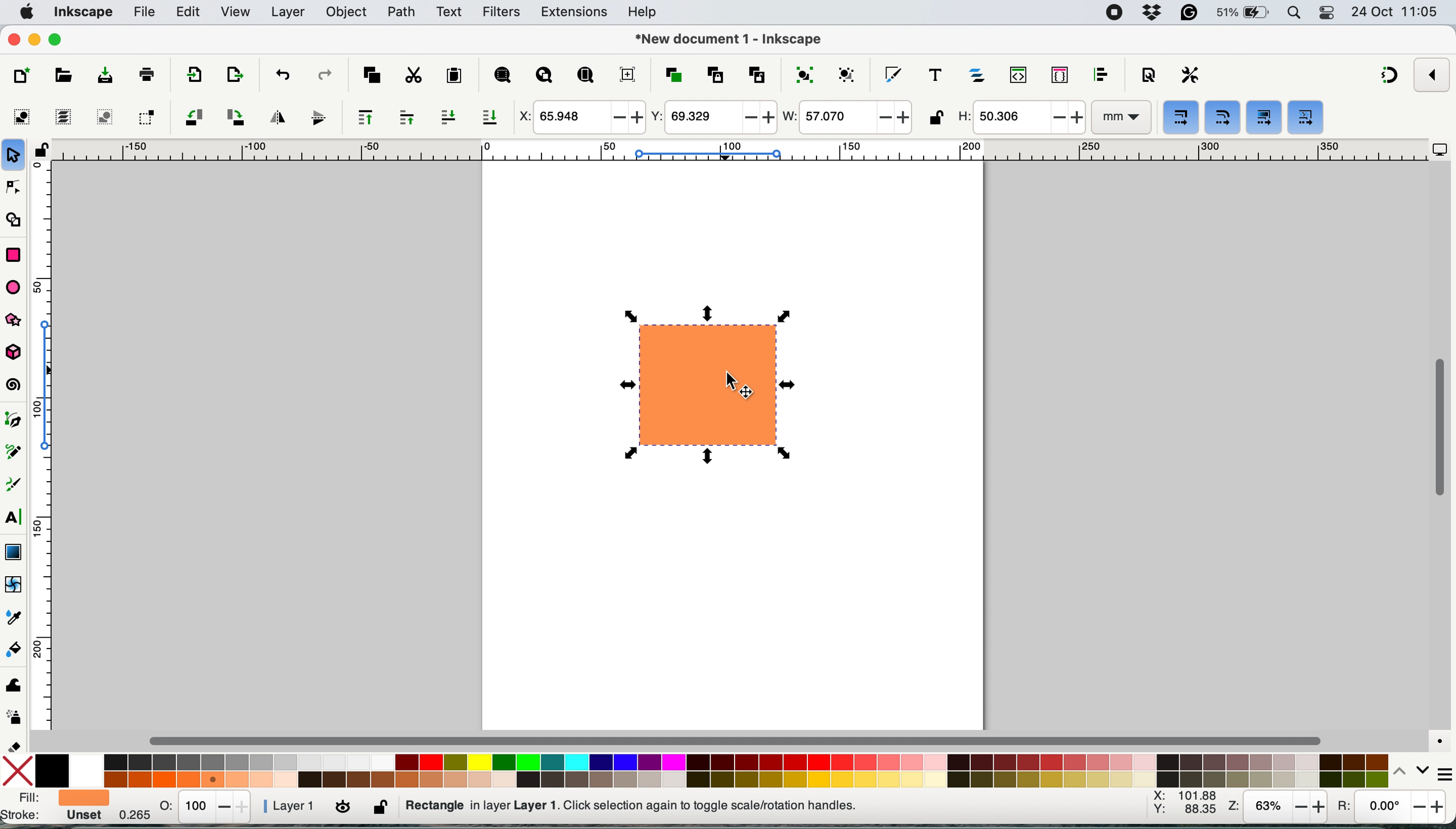 This screenshot has height=829, width=1456. What do you see at coordinates (757, 73) in the screenshot?
I see `unlink clone` at bounding box center [757, 73].